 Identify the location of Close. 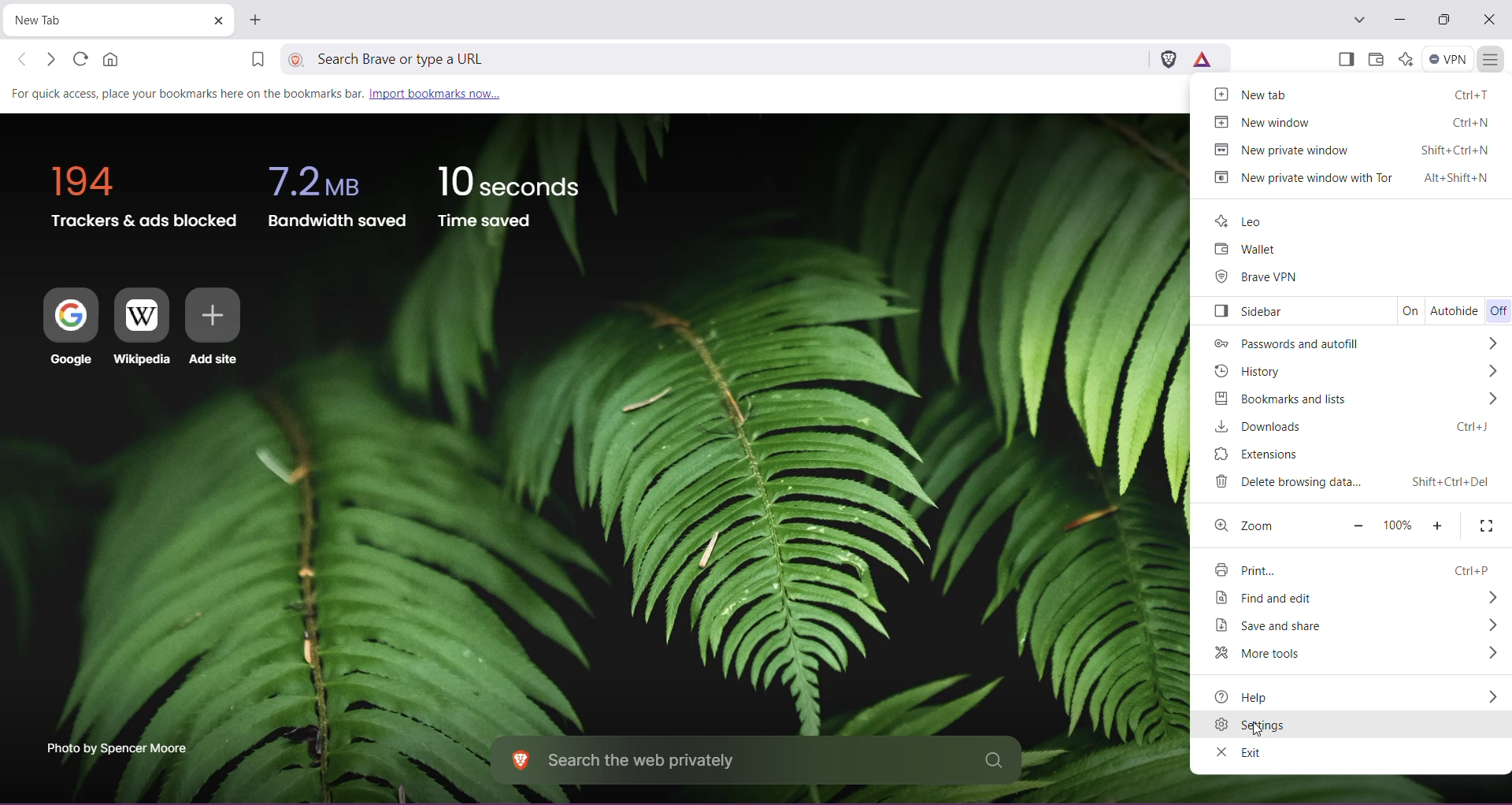
(1489, 20).